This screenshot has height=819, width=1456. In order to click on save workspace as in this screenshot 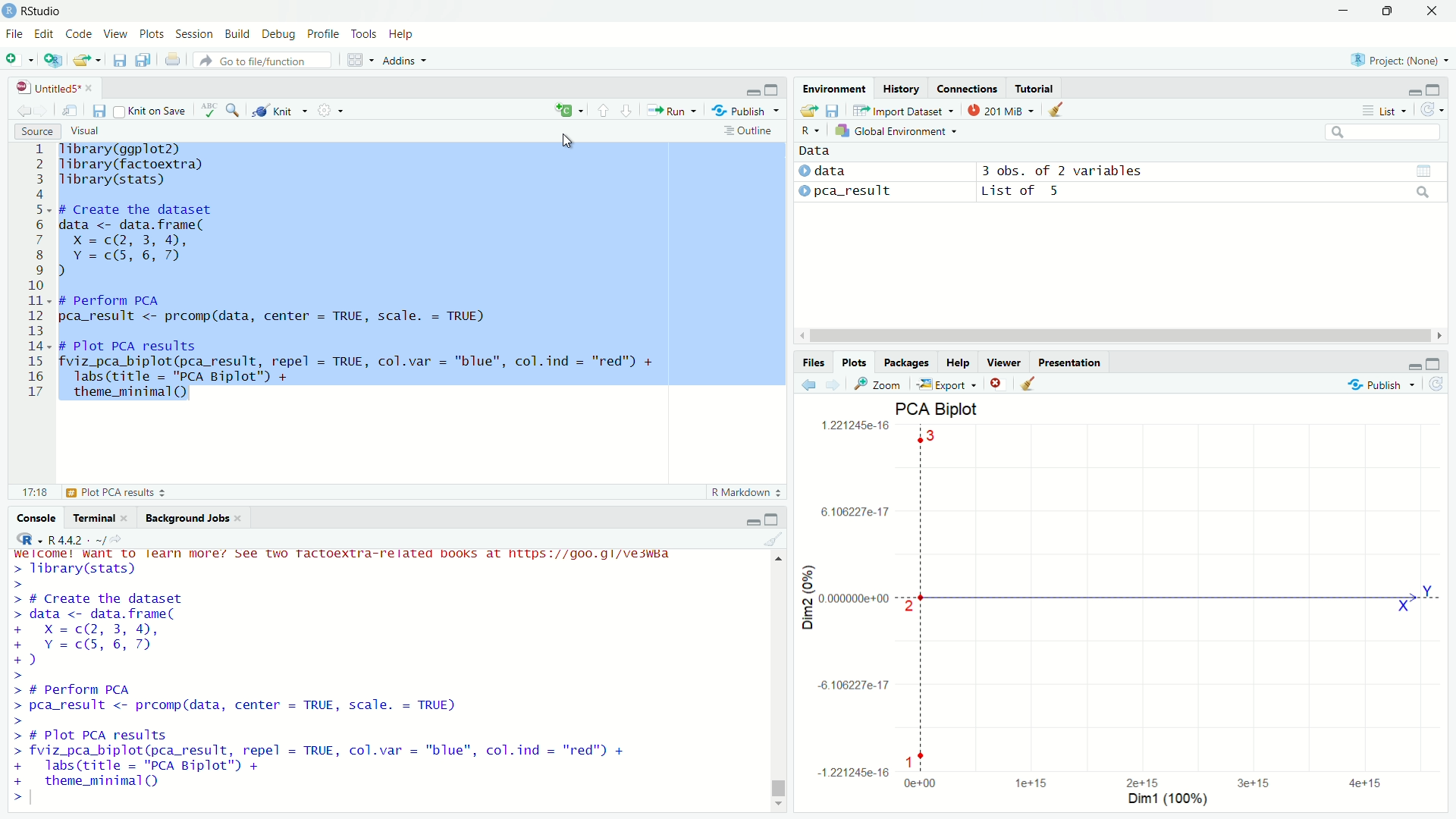, I will do `click(835, 108)`.